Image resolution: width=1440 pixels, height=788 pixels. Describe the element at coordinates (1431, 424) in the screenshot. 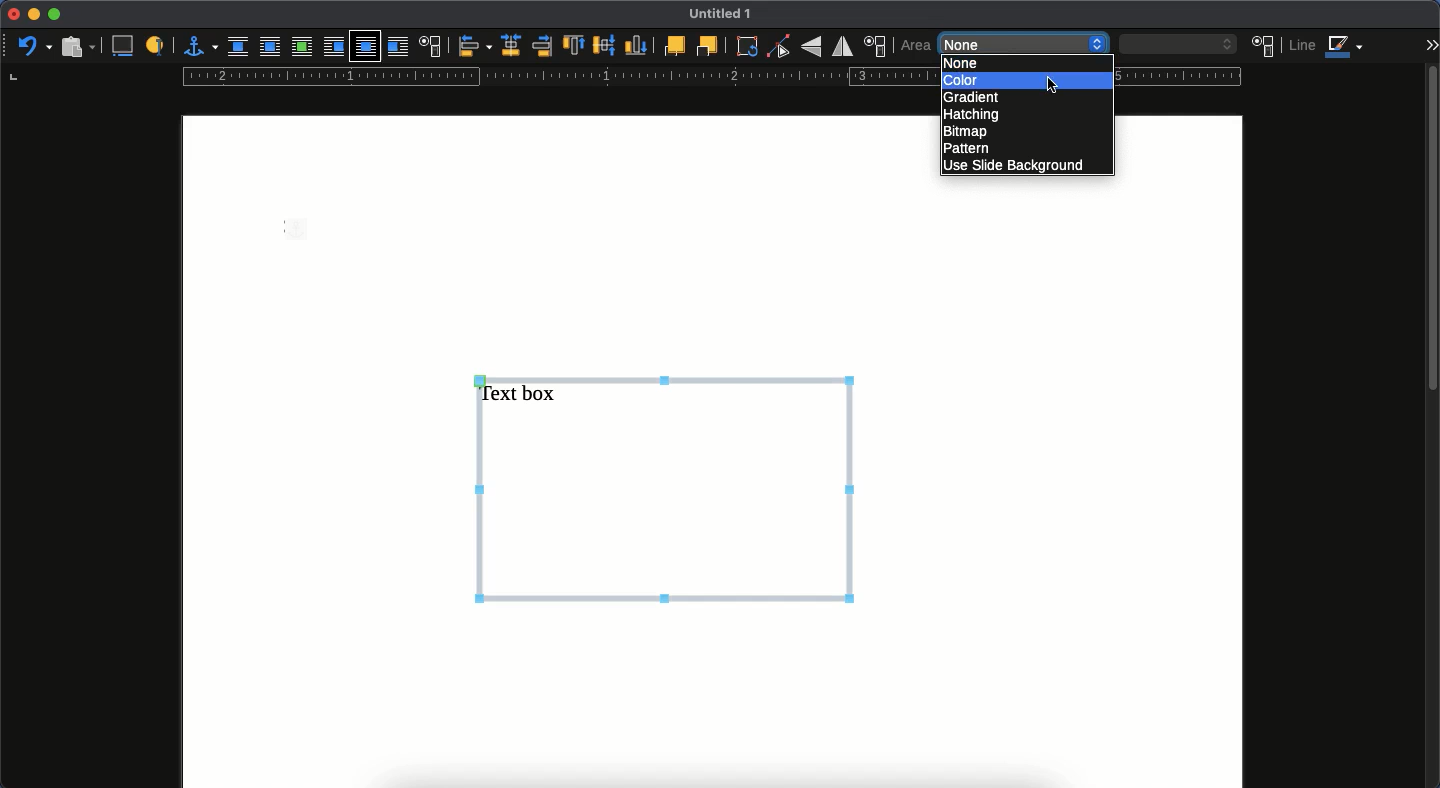

I see `scroll` at that location.